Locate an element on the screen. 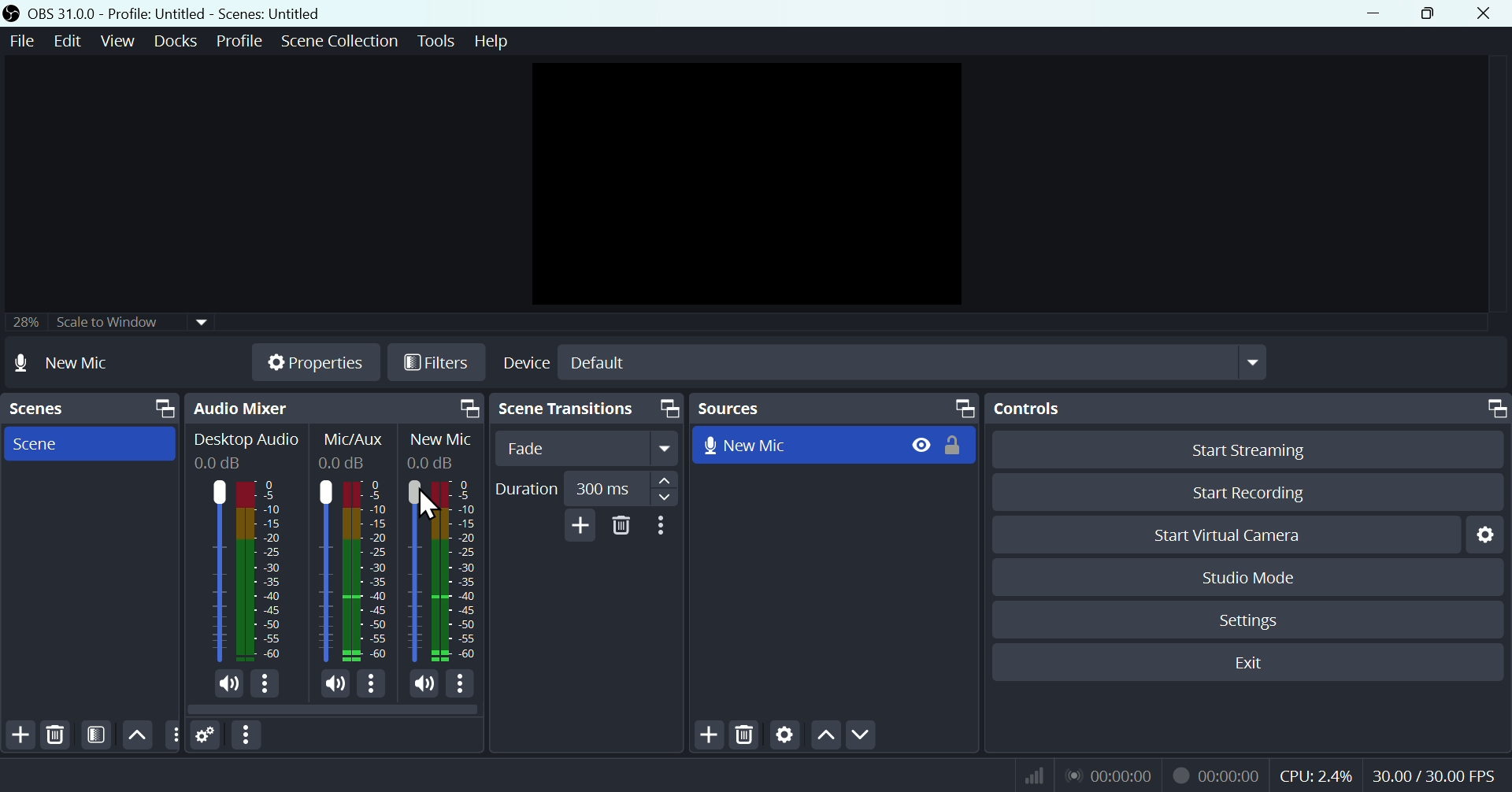 This screenshot has width=1512, height=792. Down is located at coordinates (861, 736).